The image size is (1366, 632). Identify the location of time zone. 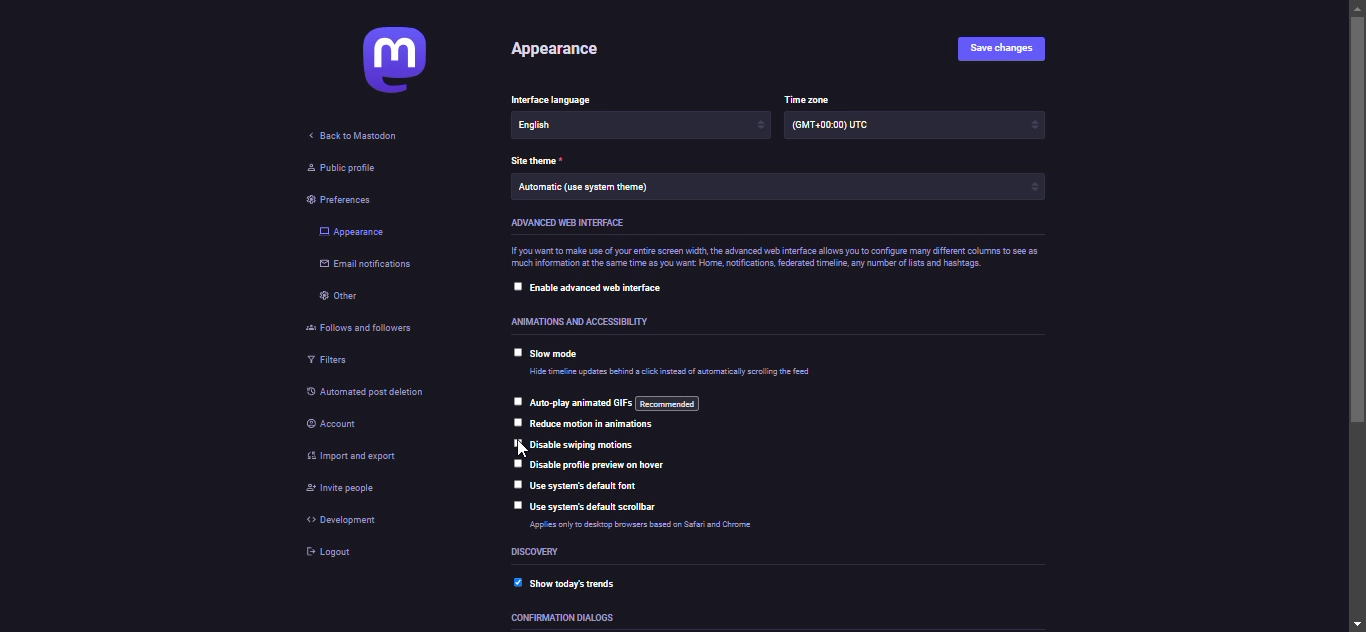
(847, 125).